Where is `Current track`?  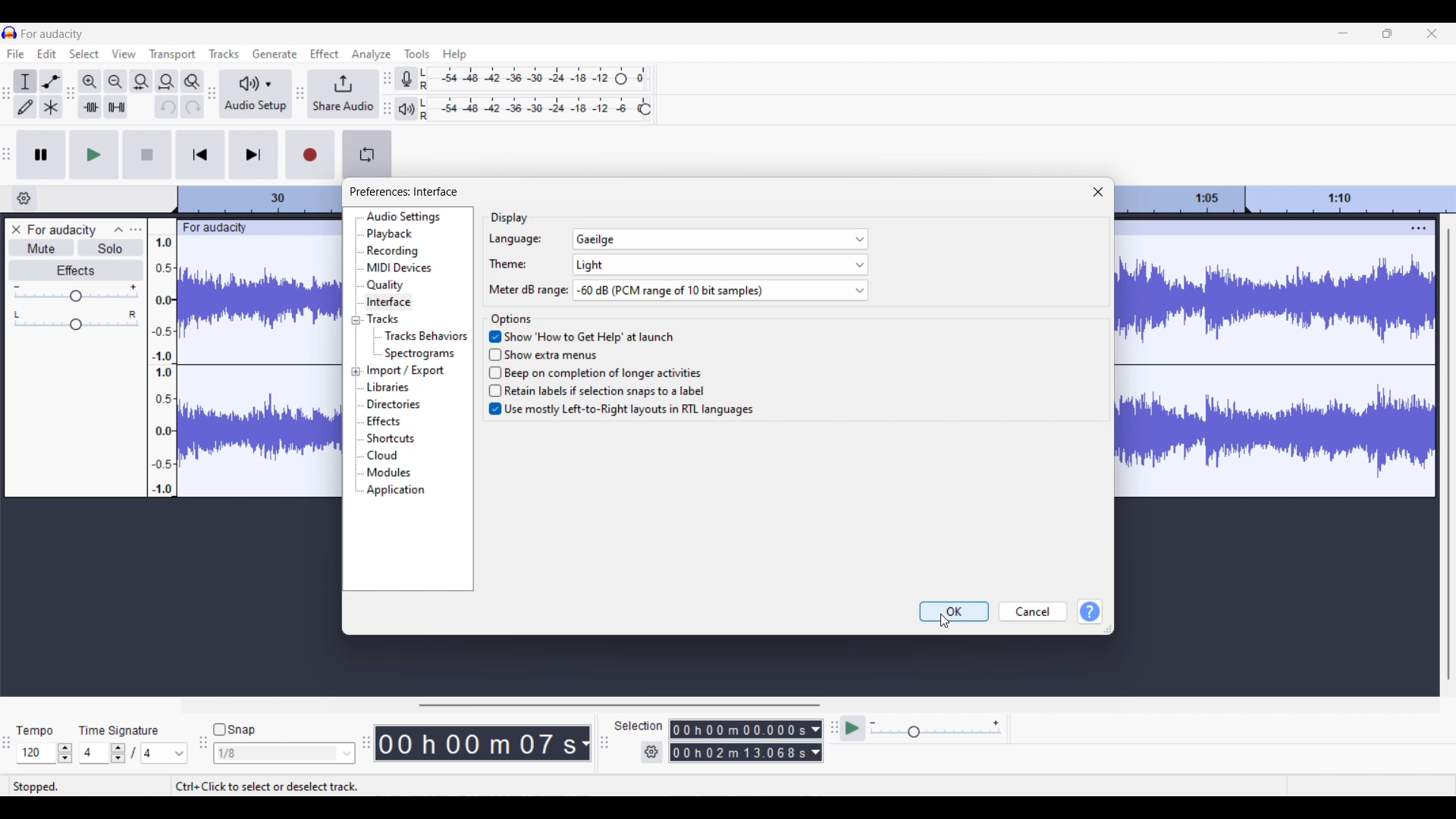
Current track is located at coordinates (1263, 359).